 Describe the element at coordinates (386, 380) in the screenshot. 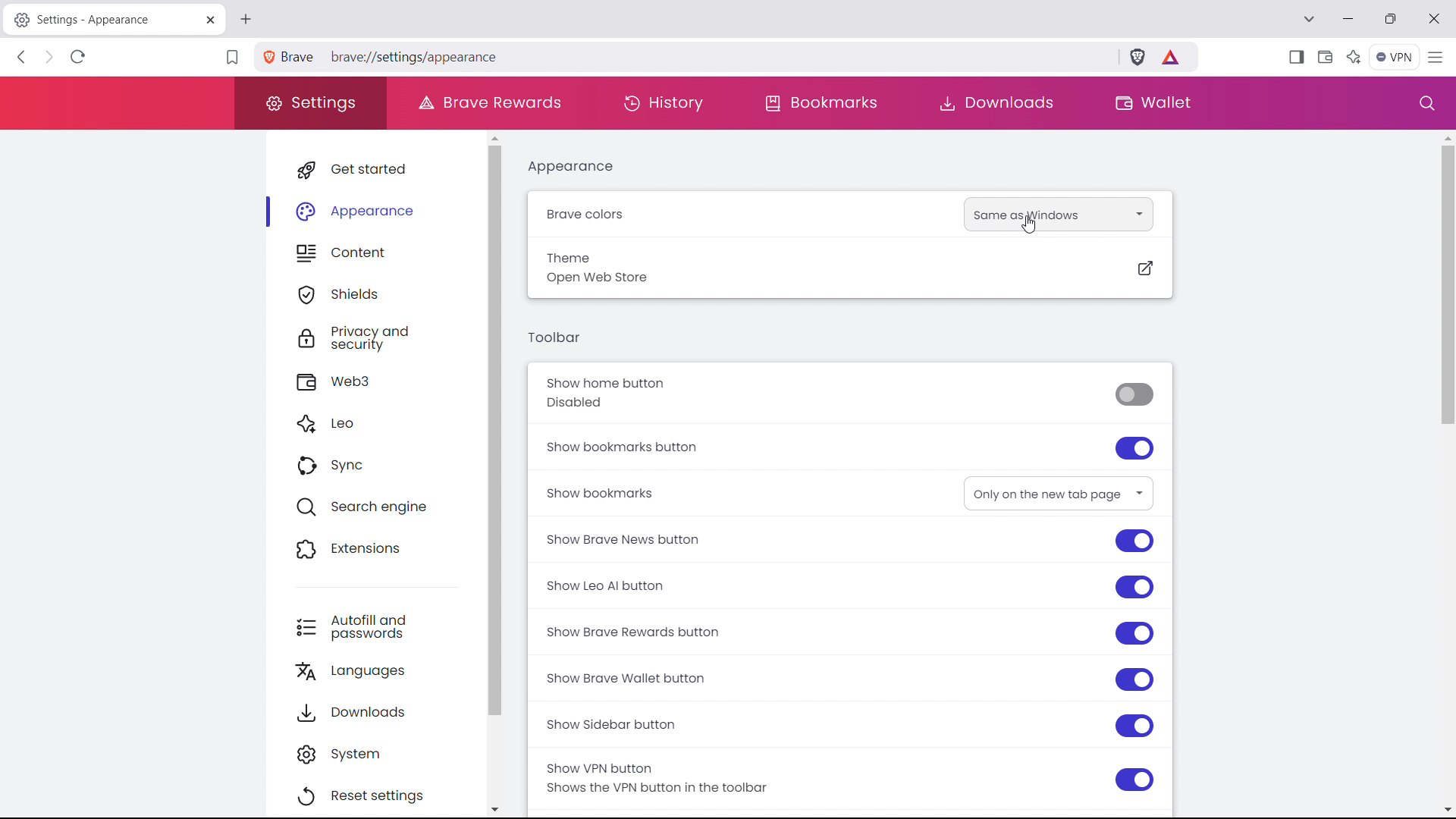

I see `web3` at that location.